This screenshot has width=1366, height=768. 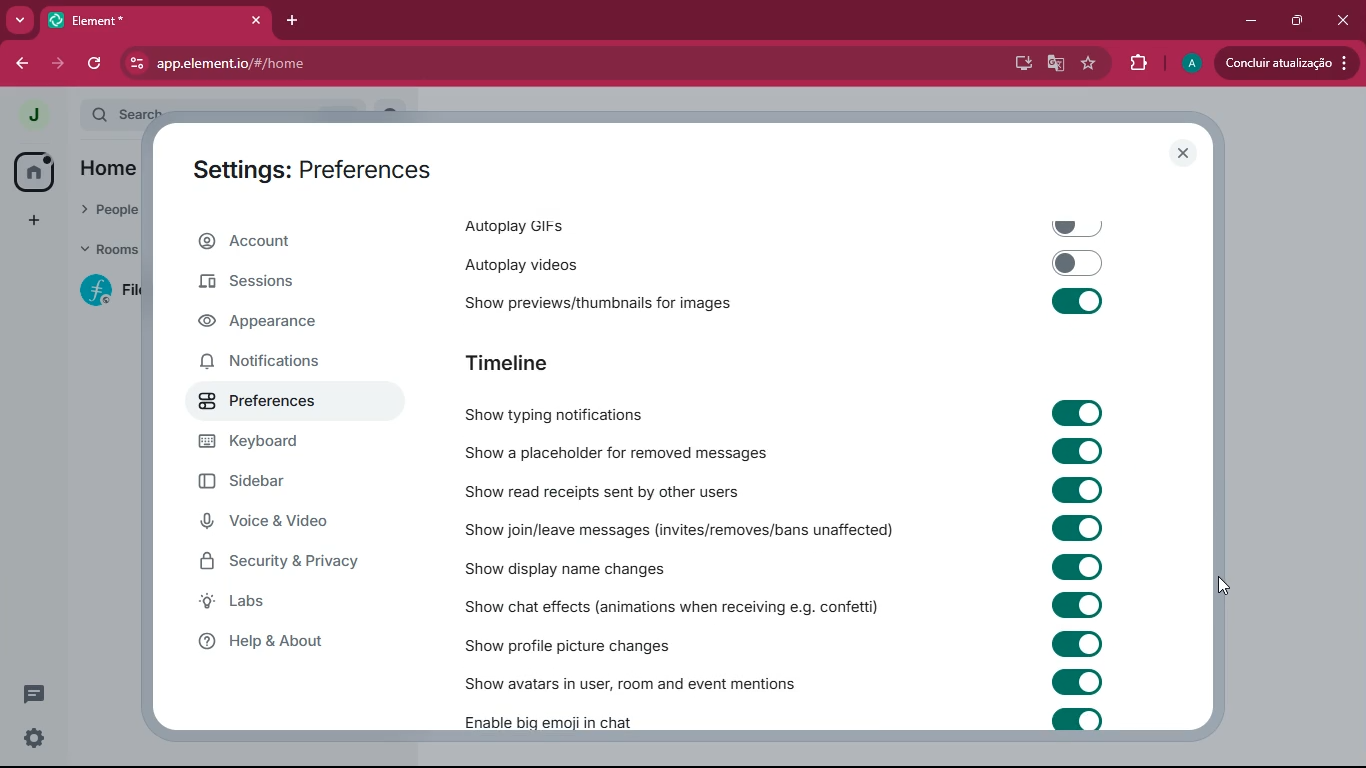 What do you see at coordinates (784, 644) in the screenshot?
I see `Show profile picture changes ` at bounding box center [784, 644].